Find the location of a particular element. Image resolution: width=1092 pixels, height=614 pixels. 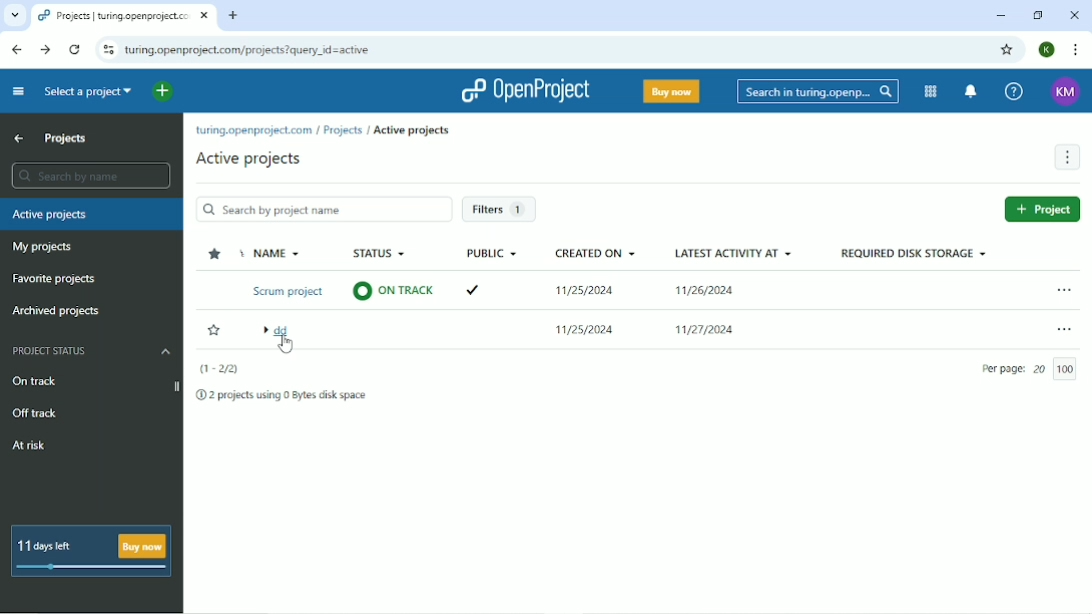

Latest activity at is located at coordinates (733, 254).